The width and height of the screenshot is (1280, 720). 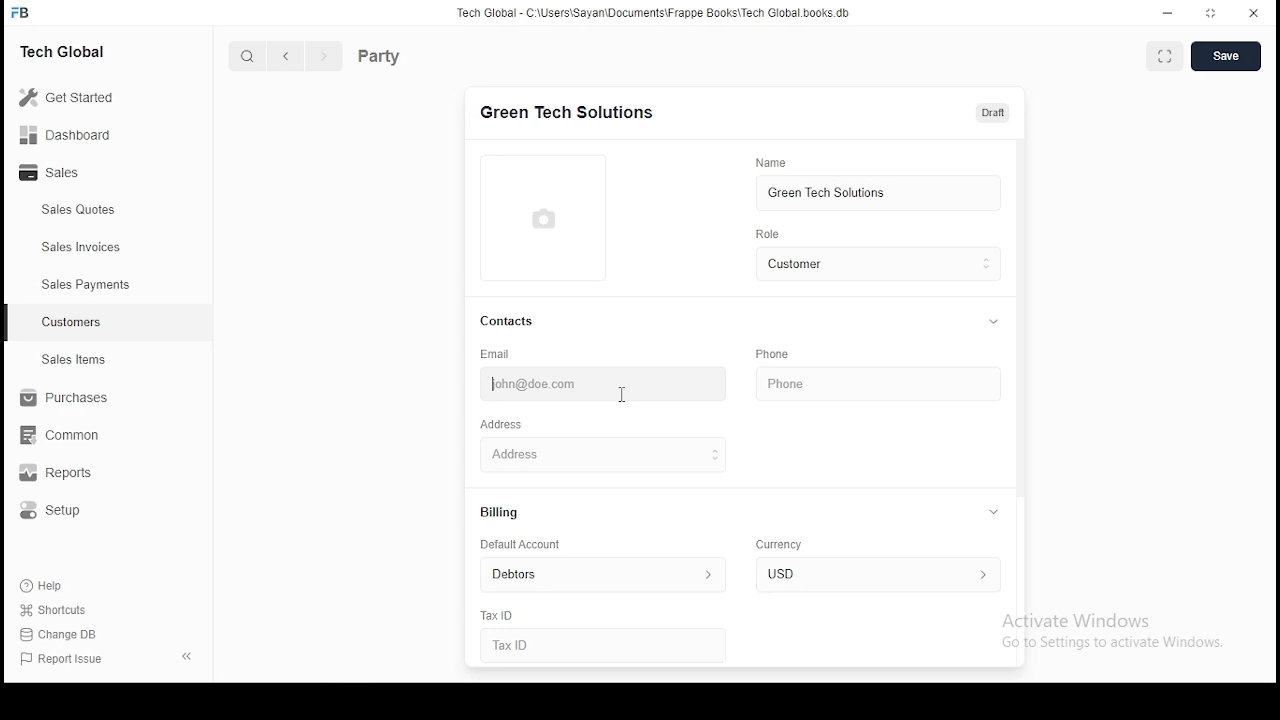 What do you see at coordinates (411, 54) in the screenshot?
I see `party` at bounding box center [411, 54].